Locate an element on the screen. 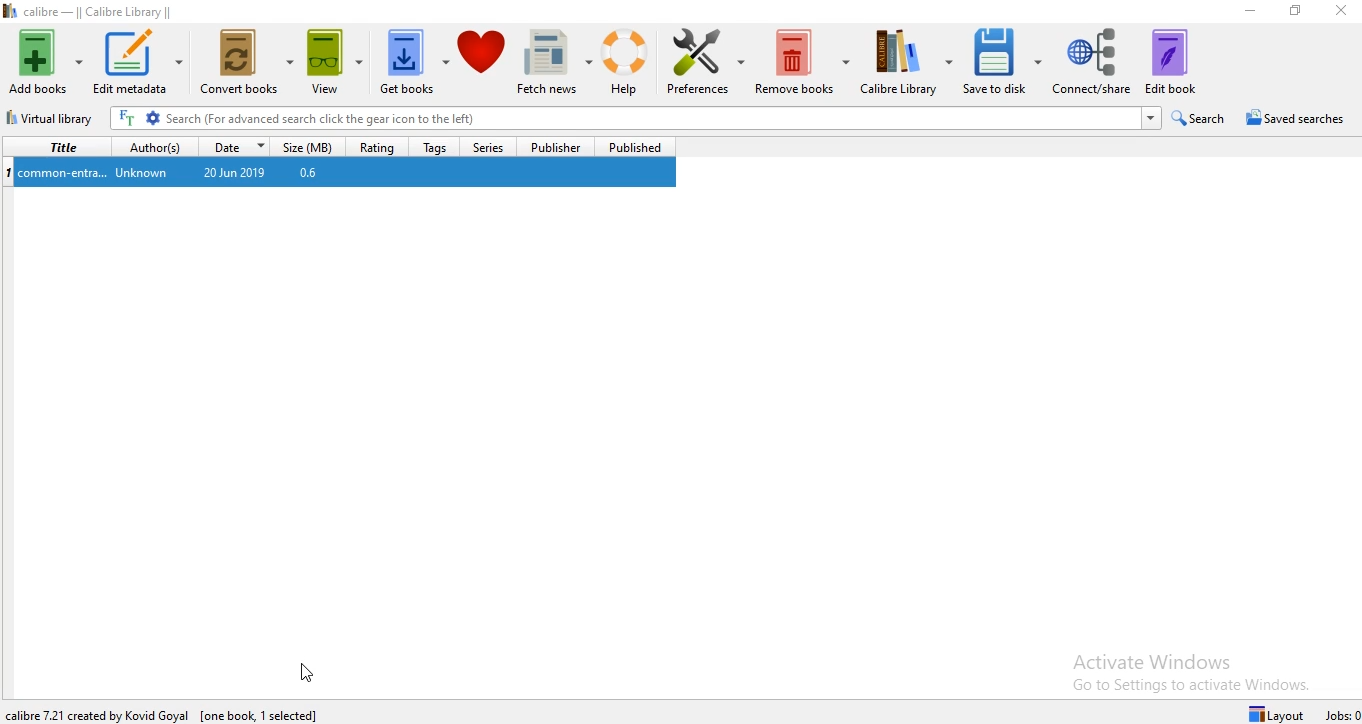 This screenshot has width=1362, height=724. View is located at coordinates (335, 64).